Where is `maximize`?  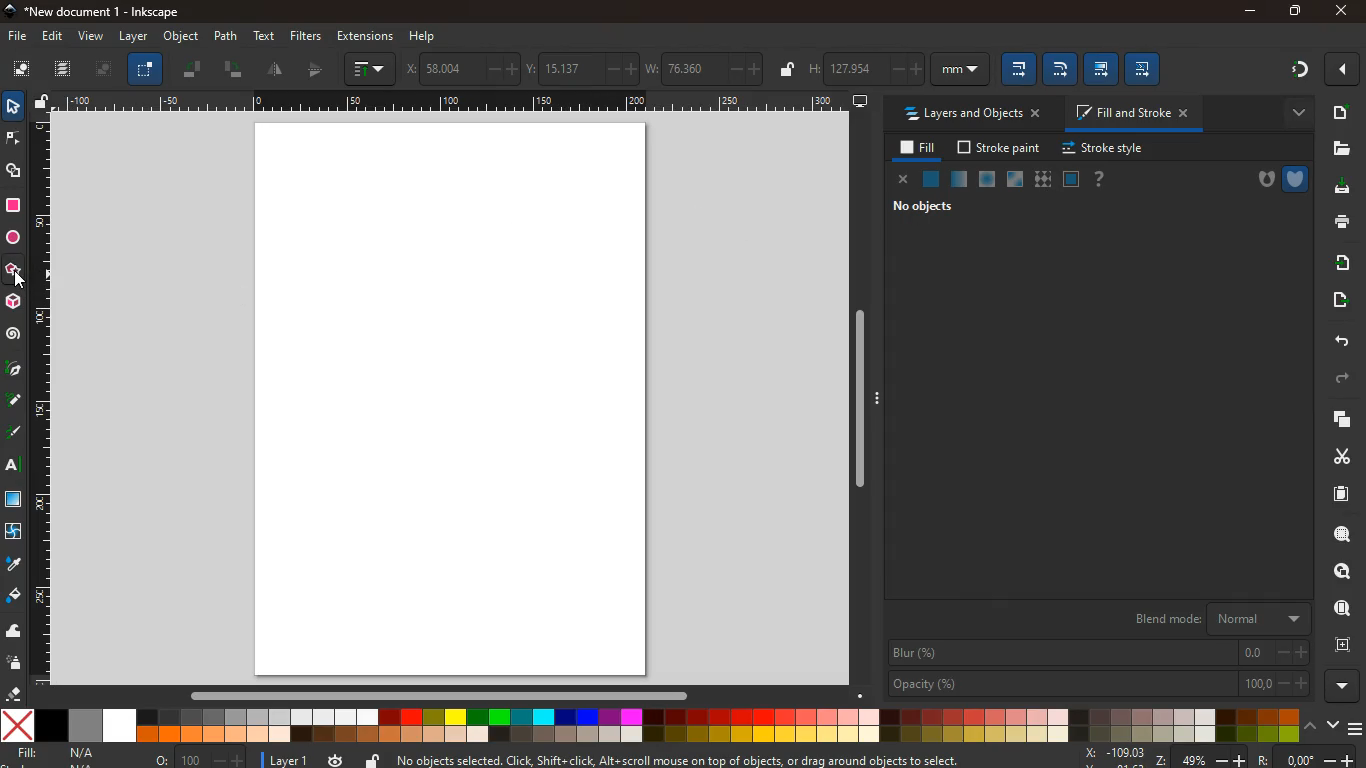
maximize is located at coordinates (1293, 9).